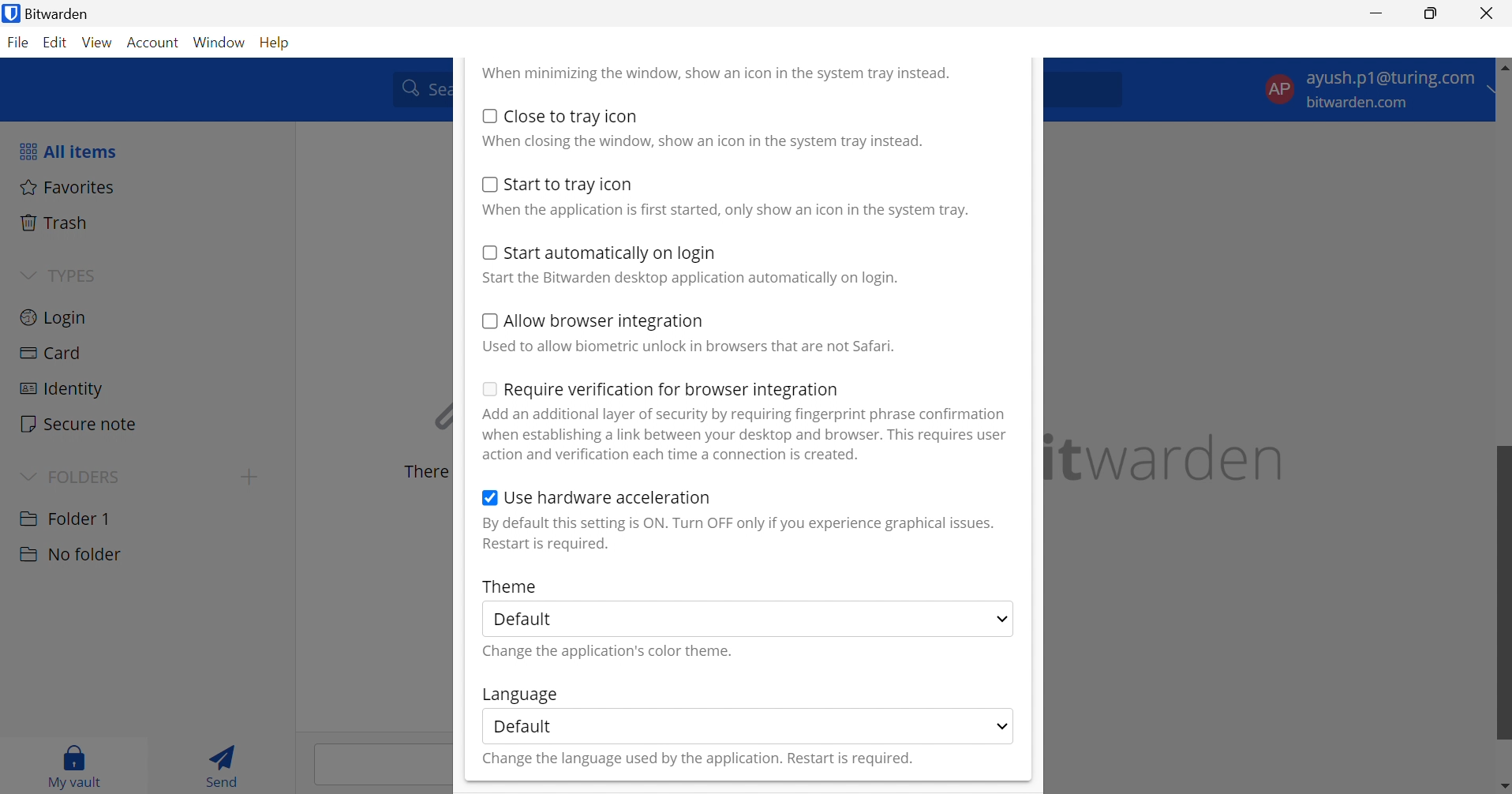 This screenshot has height=794, width=1512. What do you see at coordinates (612, 254) in the screenshot?
I see `Start automatically on login` at bounding box center [612, 254].